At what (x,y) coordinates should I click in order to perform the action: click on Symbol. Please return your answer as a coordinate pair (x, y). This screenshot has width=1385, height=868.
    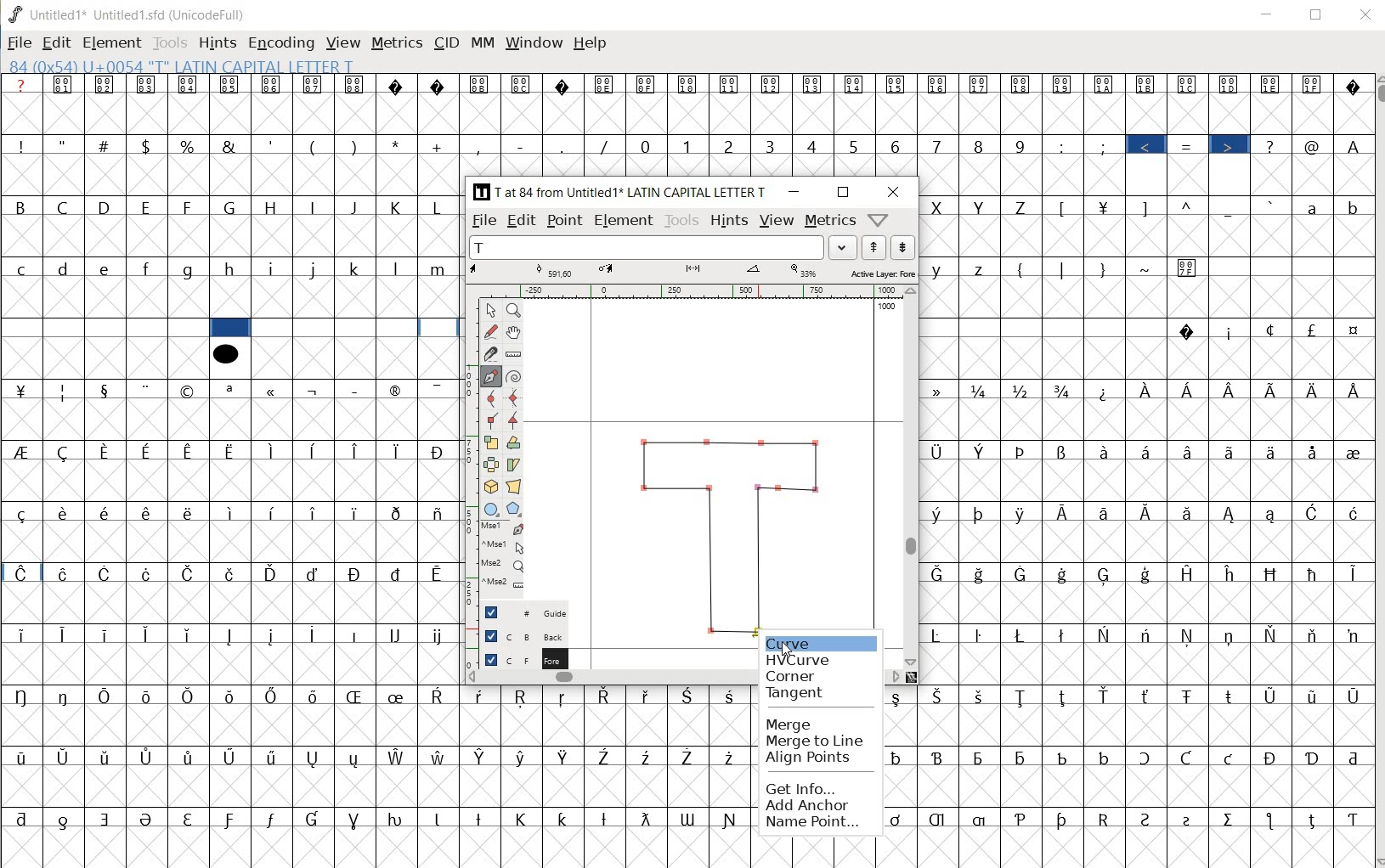
    Looking at the image, I should click on (1065, 697).